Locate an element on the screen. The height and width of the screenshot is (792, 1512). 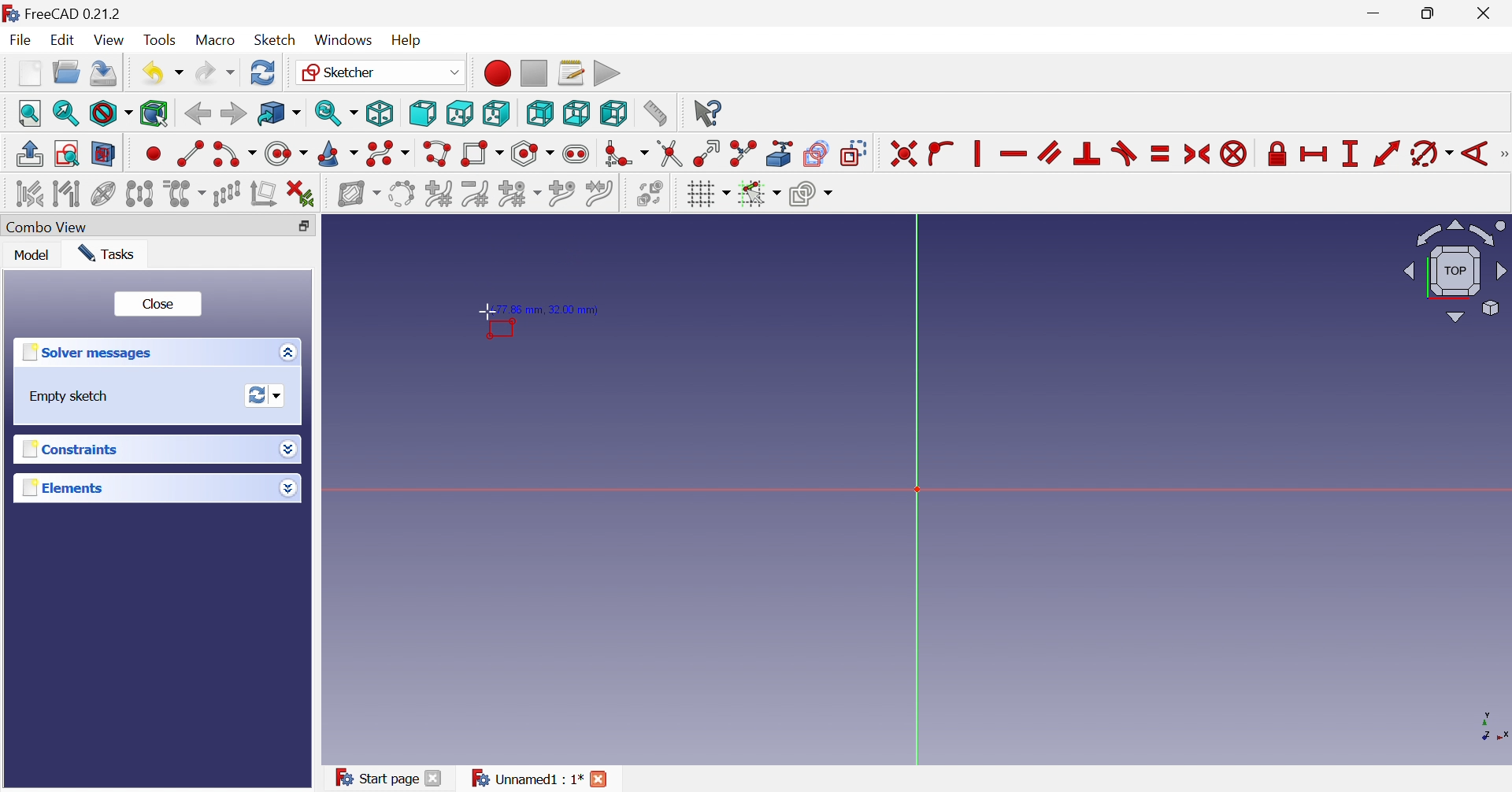
Toggle construction geometry is located at coordinates (854, 154).